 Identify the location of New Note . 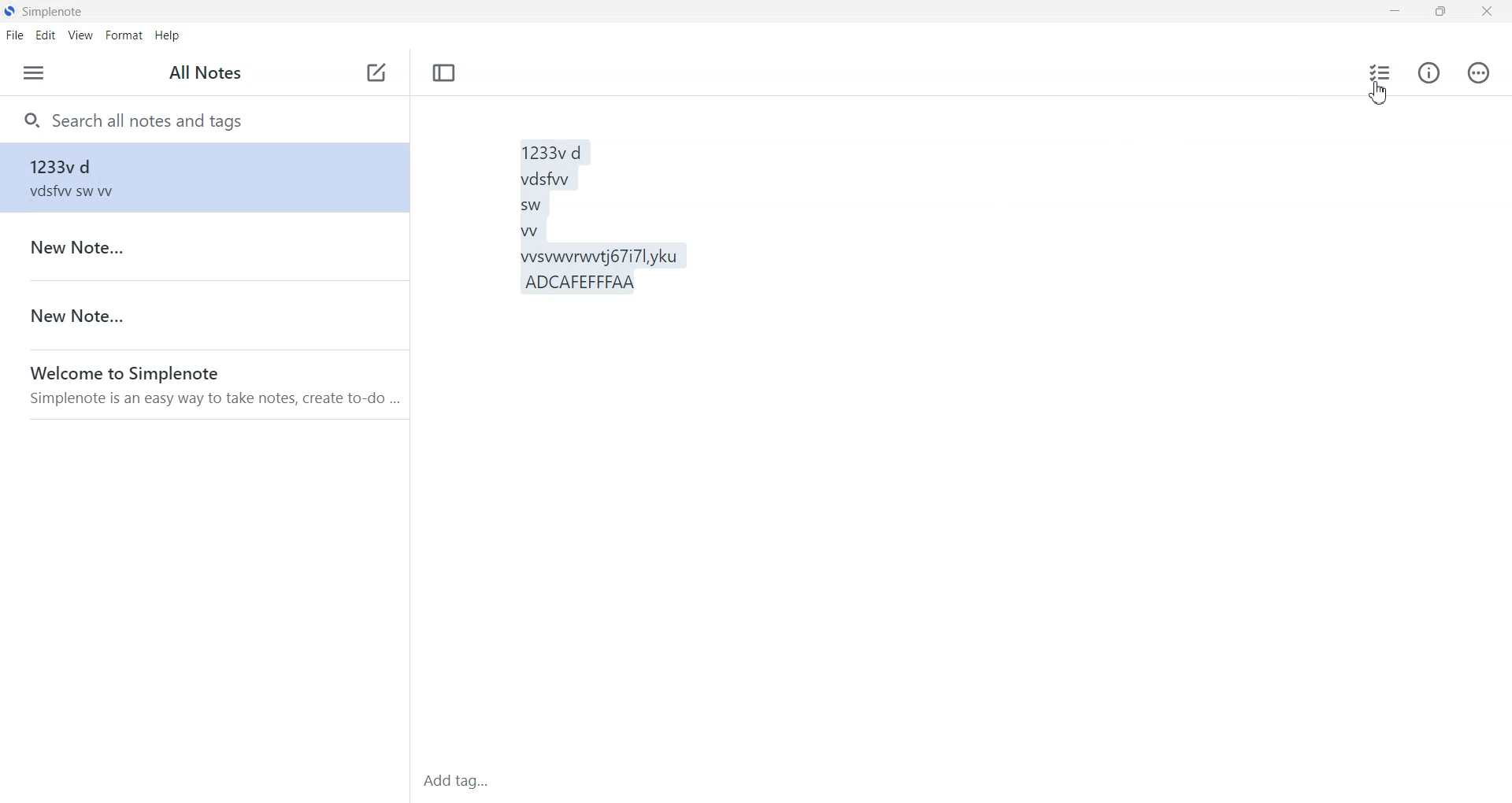
(203, 246).